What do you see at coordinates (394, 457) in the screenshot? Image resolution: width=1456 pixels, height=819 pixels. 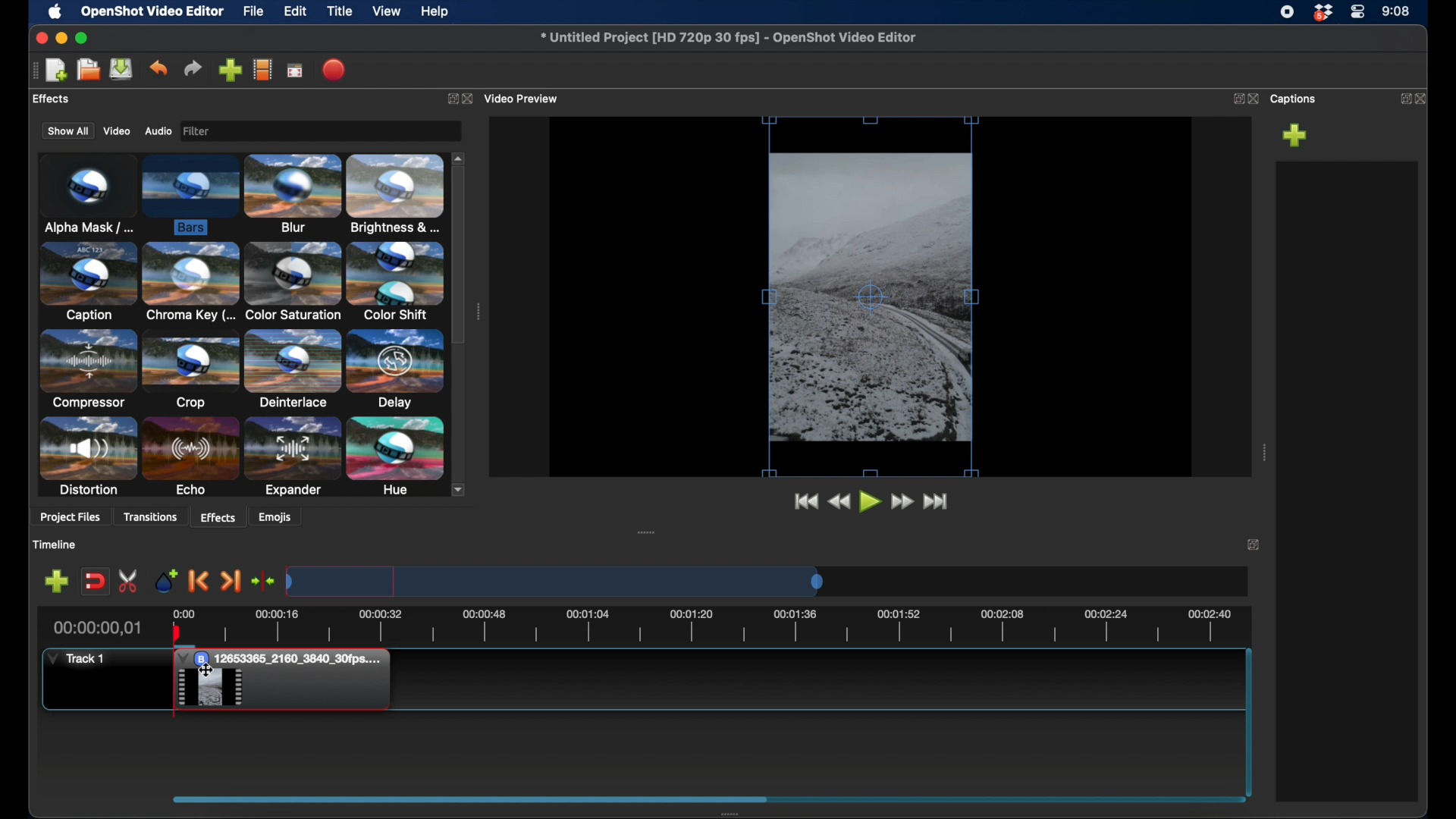 I see `hue` at bounding box center [394, 457].